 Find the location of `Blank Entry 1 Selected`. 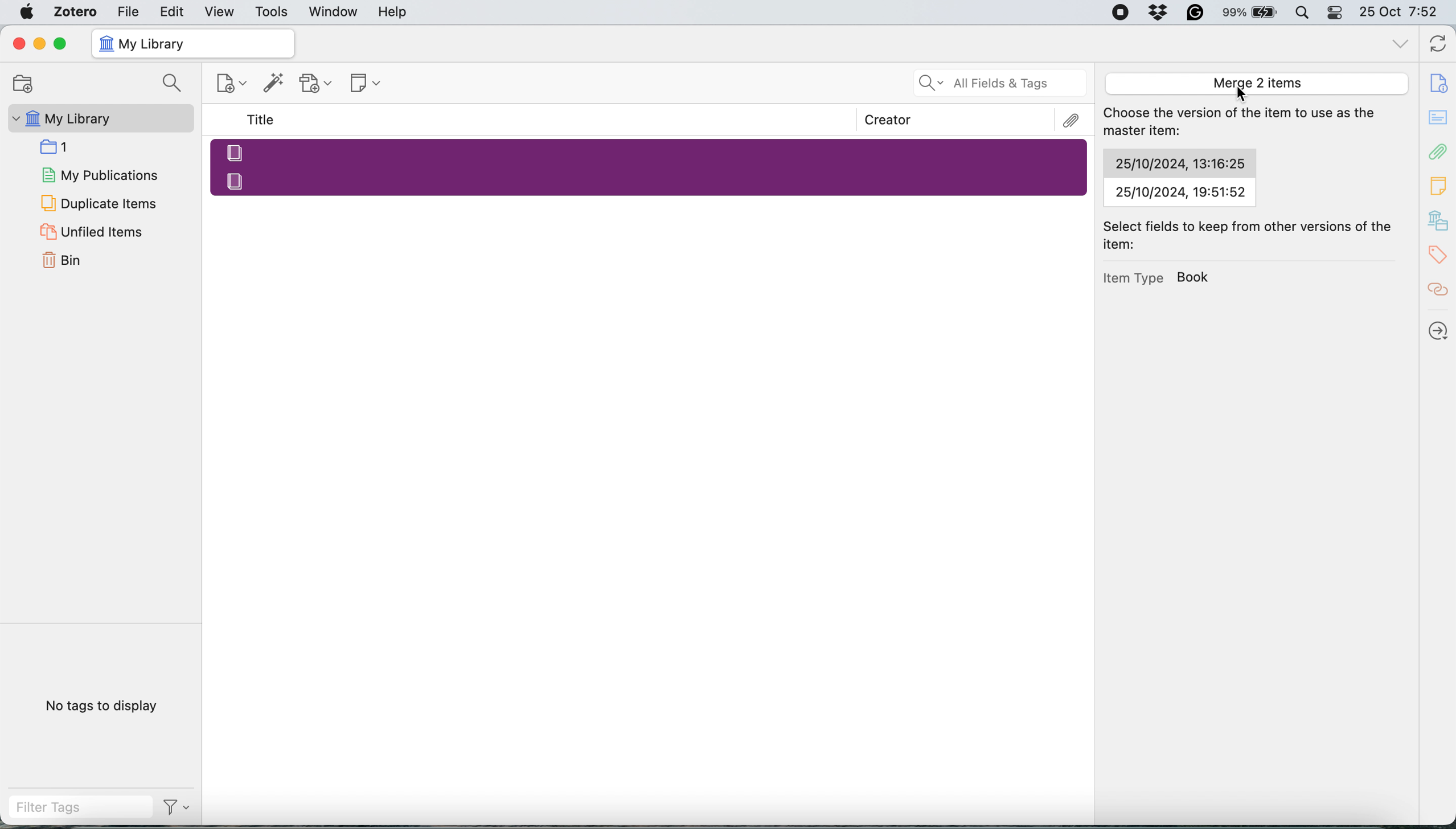

Blank Entry 1 Selected is located at coordinates (648, 151).